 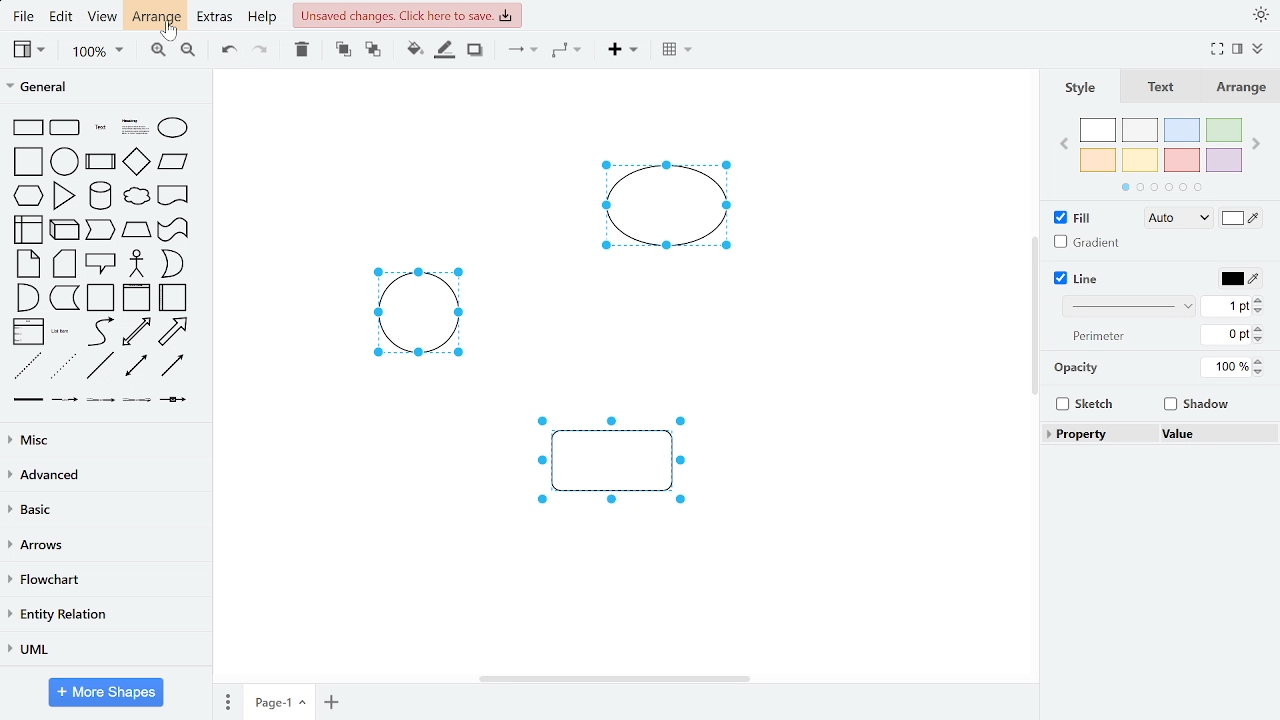 What do you see at coordinates (174, 195) in the screenshot?
I see `document` at bounding box center [174, 195].